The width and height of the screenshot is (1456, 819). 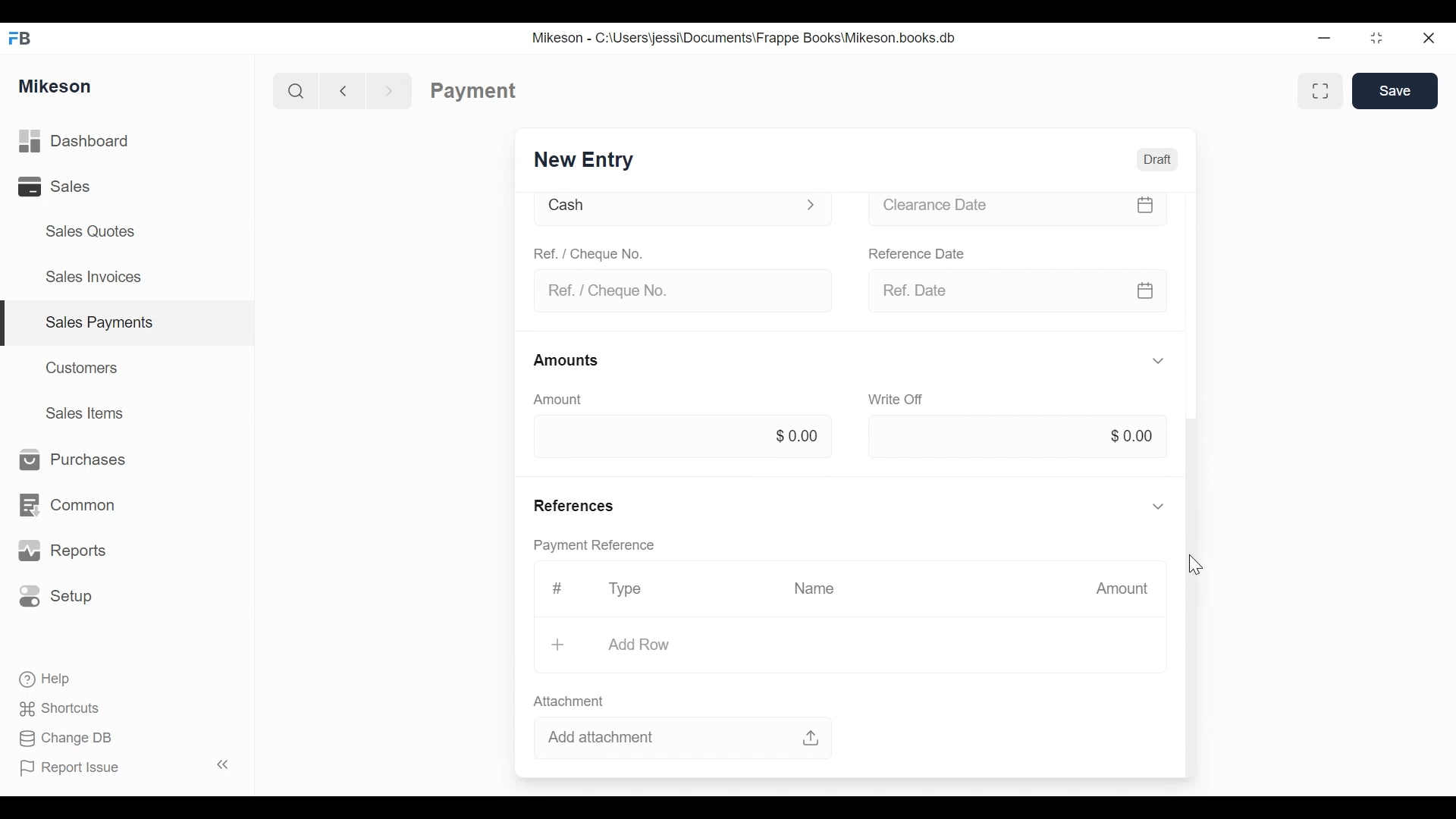 What do you see at coordinates (640, 643) in the screenshot?
I see `add row` at bounding box center [640, 643].